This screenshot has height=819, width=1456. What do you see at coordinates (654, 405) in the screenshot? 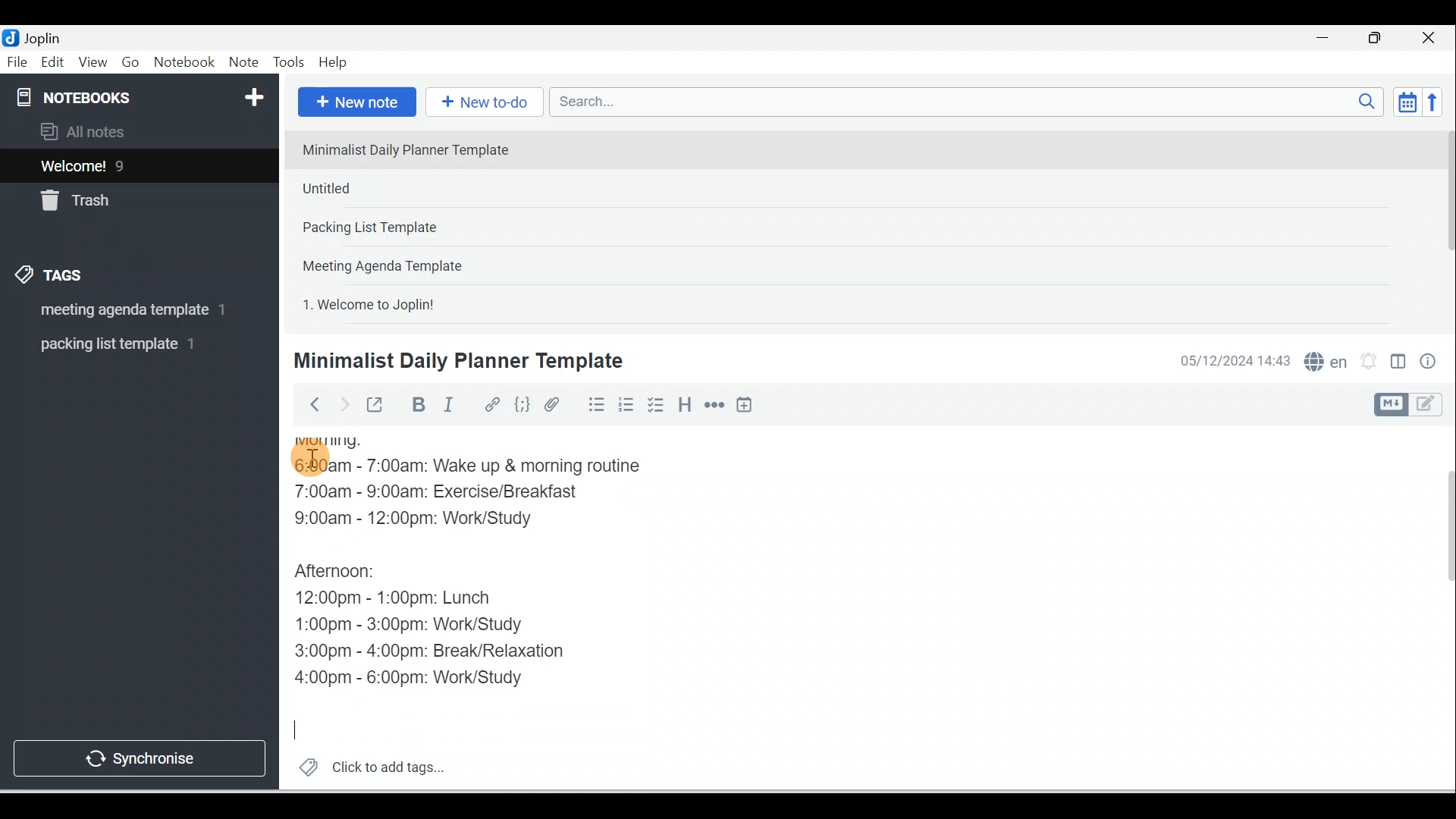
I see `Checkbox` at bounding box center [654, 405].